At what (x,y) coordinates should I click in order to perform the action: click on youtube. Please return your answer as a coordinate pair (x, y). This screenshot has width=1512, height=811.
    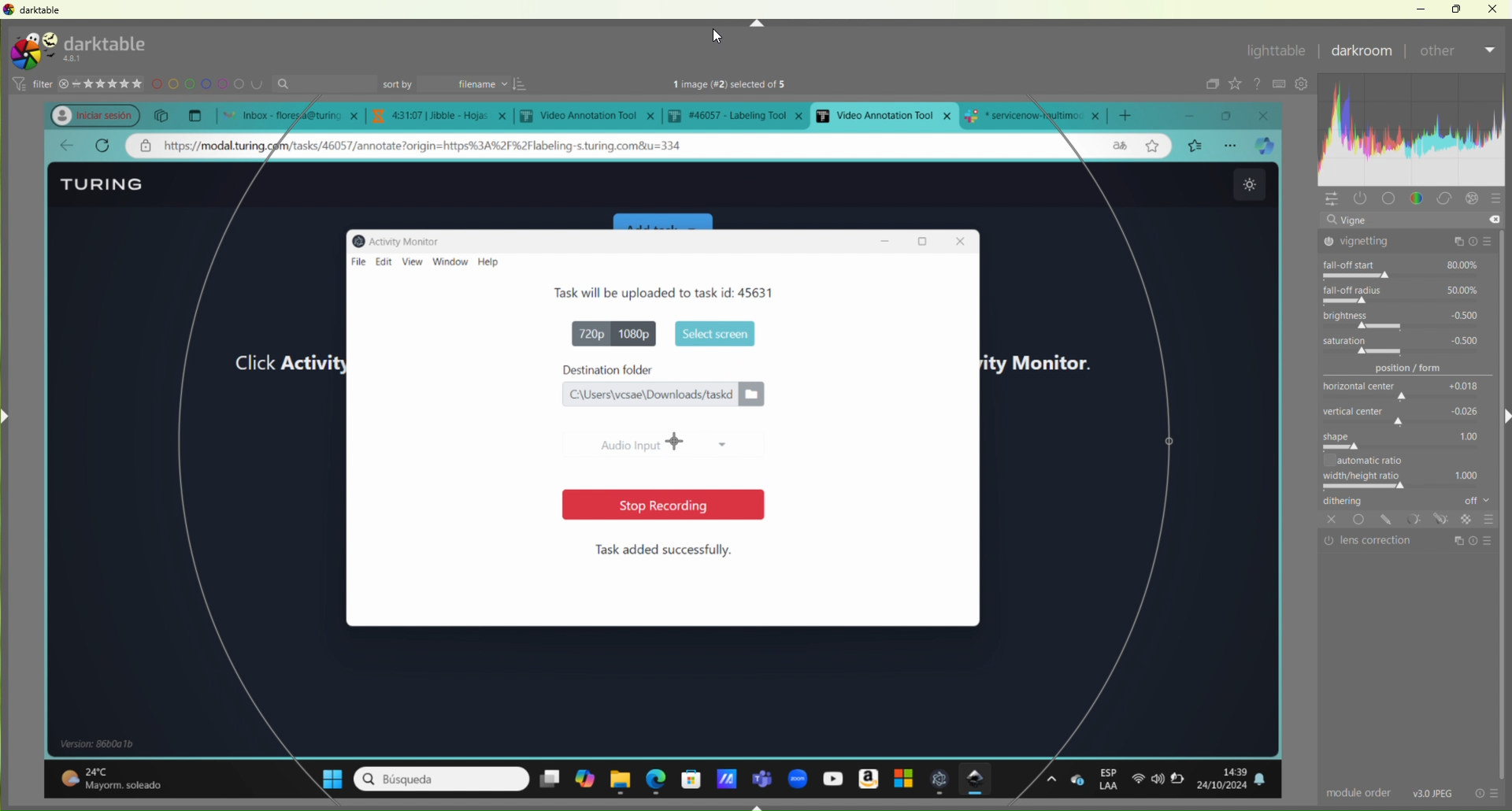
    Looking at the image, I should click on (830, 778).